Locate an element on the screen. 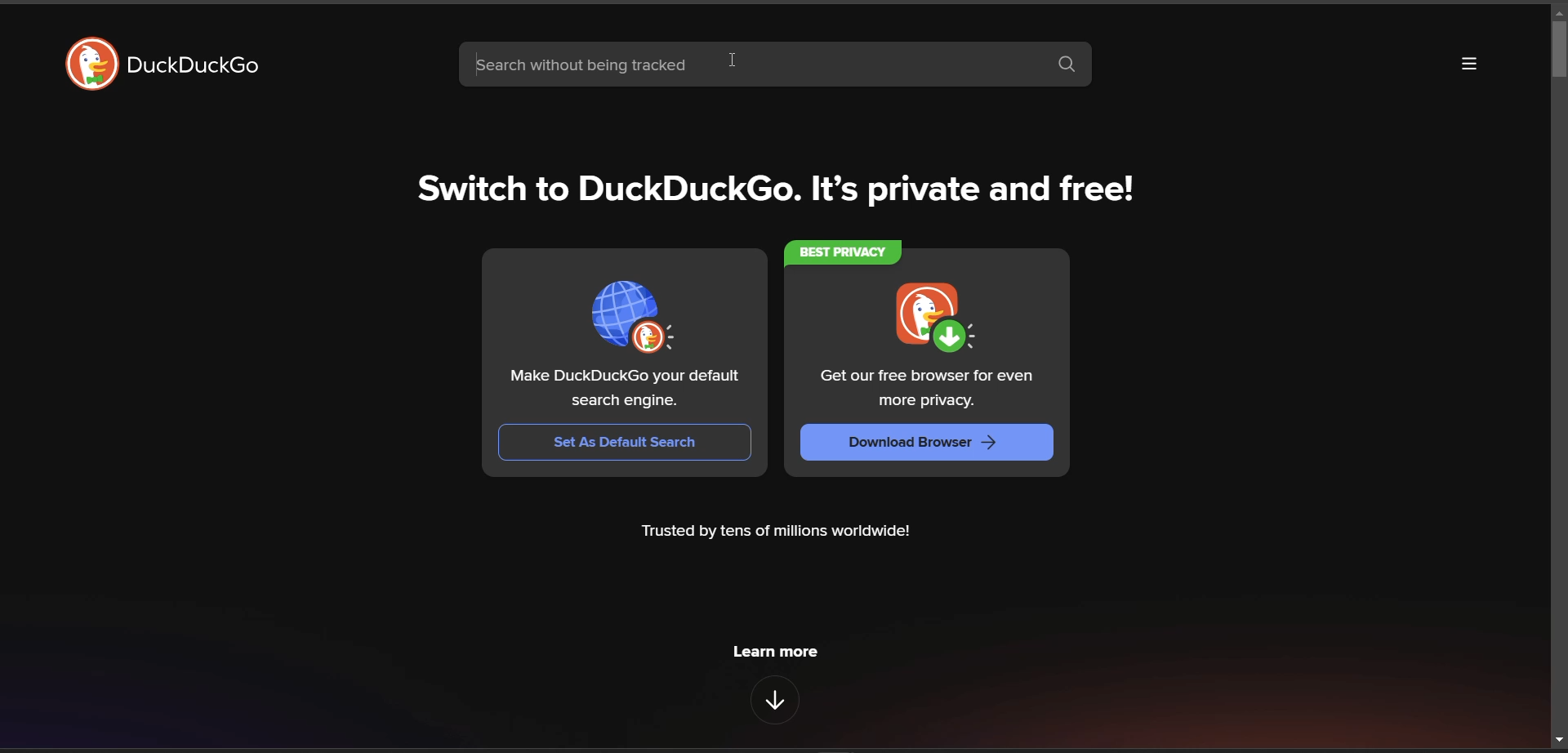 Image resolution: width=1568 pixels, height=753 pixels. cursor is located at coordinates (737, 55).